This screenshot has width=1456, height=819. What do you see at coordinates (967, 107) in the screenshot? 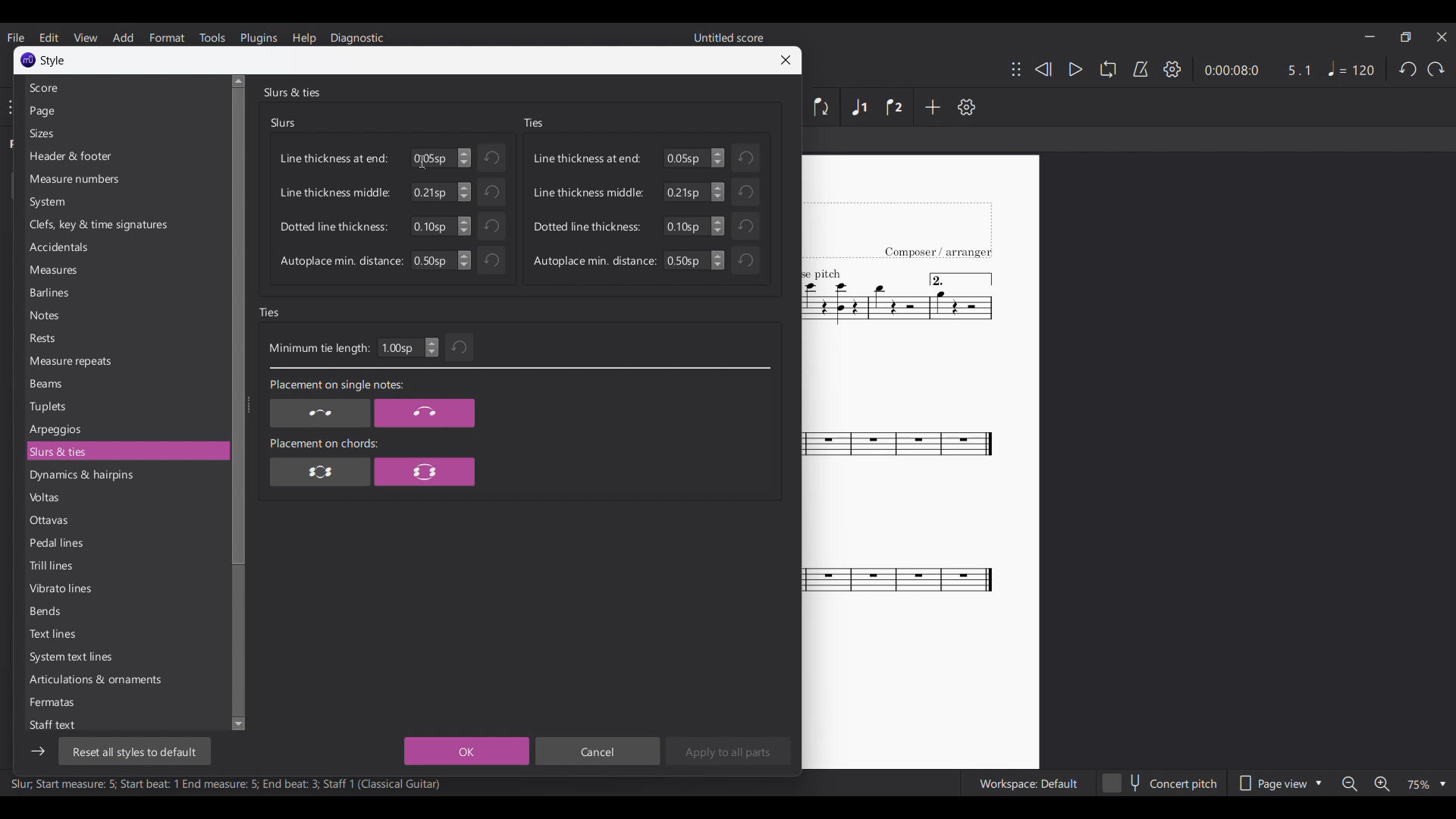
I see `Settings` at bounding box center [967, 107].